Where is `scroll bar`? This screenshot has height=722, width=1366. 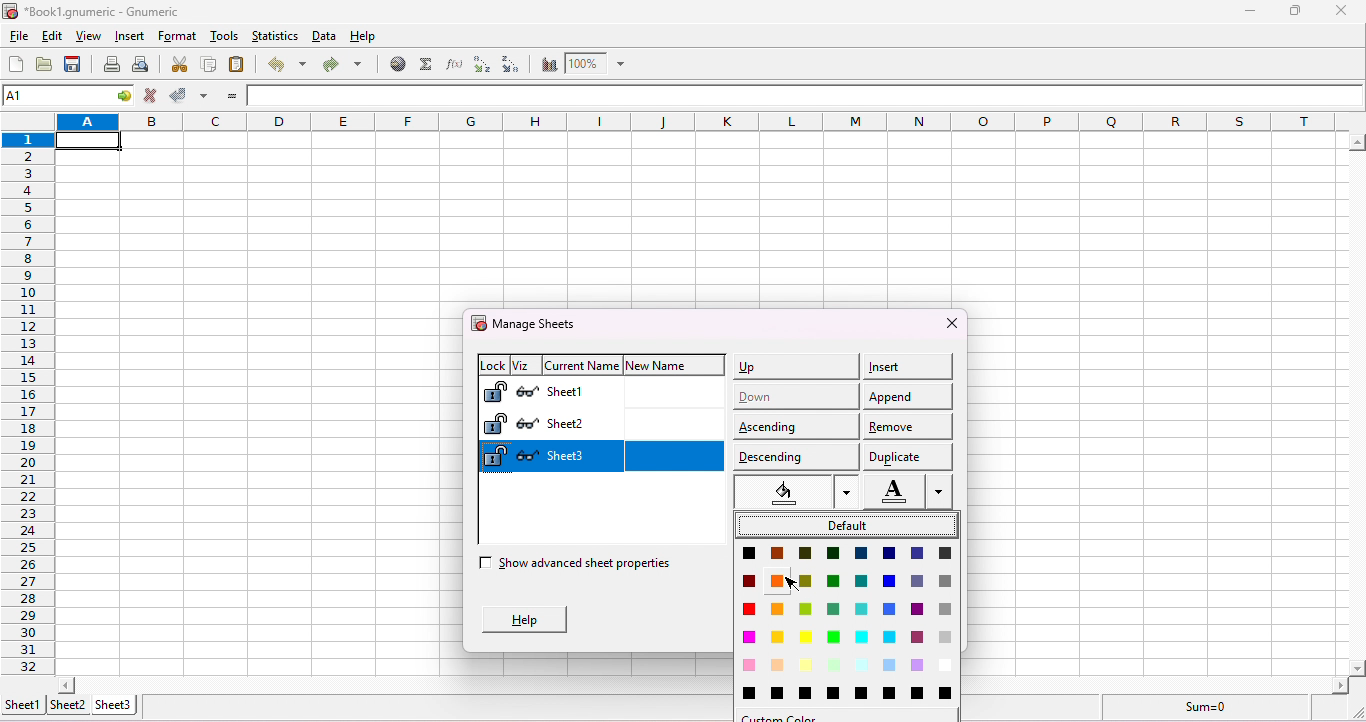 scroll bar is located at coordinates (1357, 403).